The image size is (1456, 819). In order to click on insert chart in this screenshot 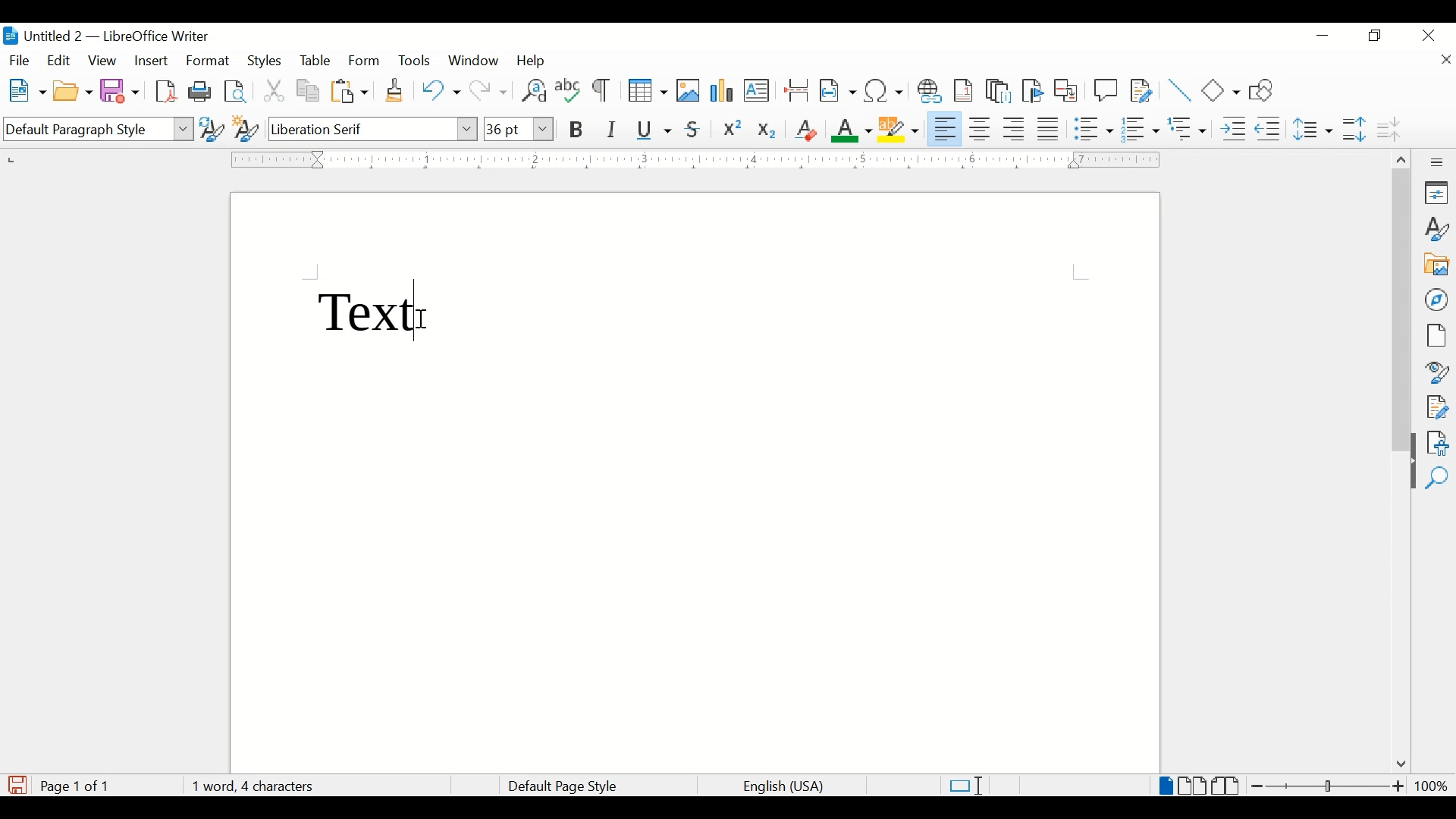, I will do `click(723, 92)`.